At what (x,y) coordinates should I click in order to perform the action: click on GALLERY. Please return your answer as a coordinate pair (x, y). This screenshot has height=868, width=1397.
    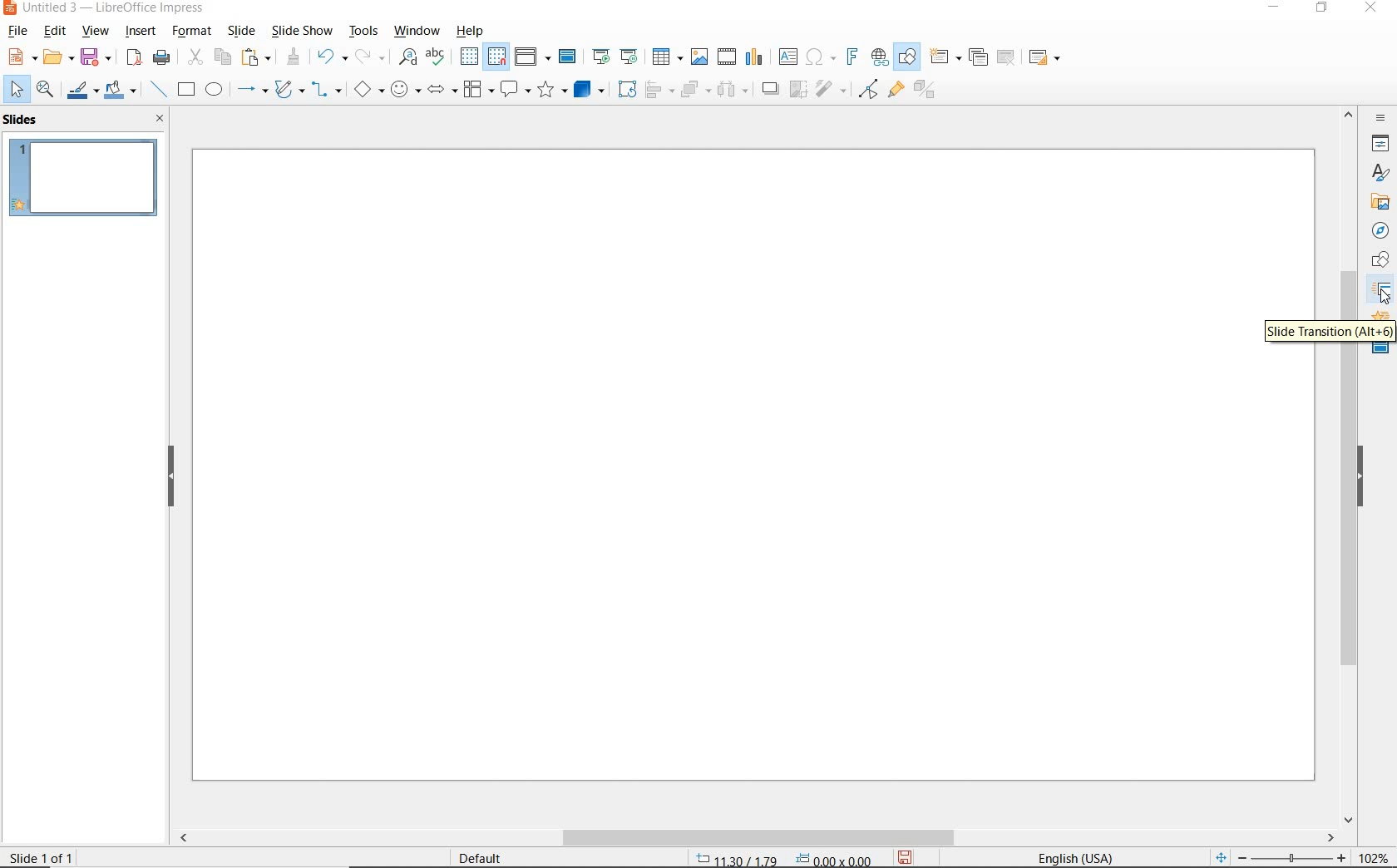
    Looking at the image, I should click on (1377, 200).